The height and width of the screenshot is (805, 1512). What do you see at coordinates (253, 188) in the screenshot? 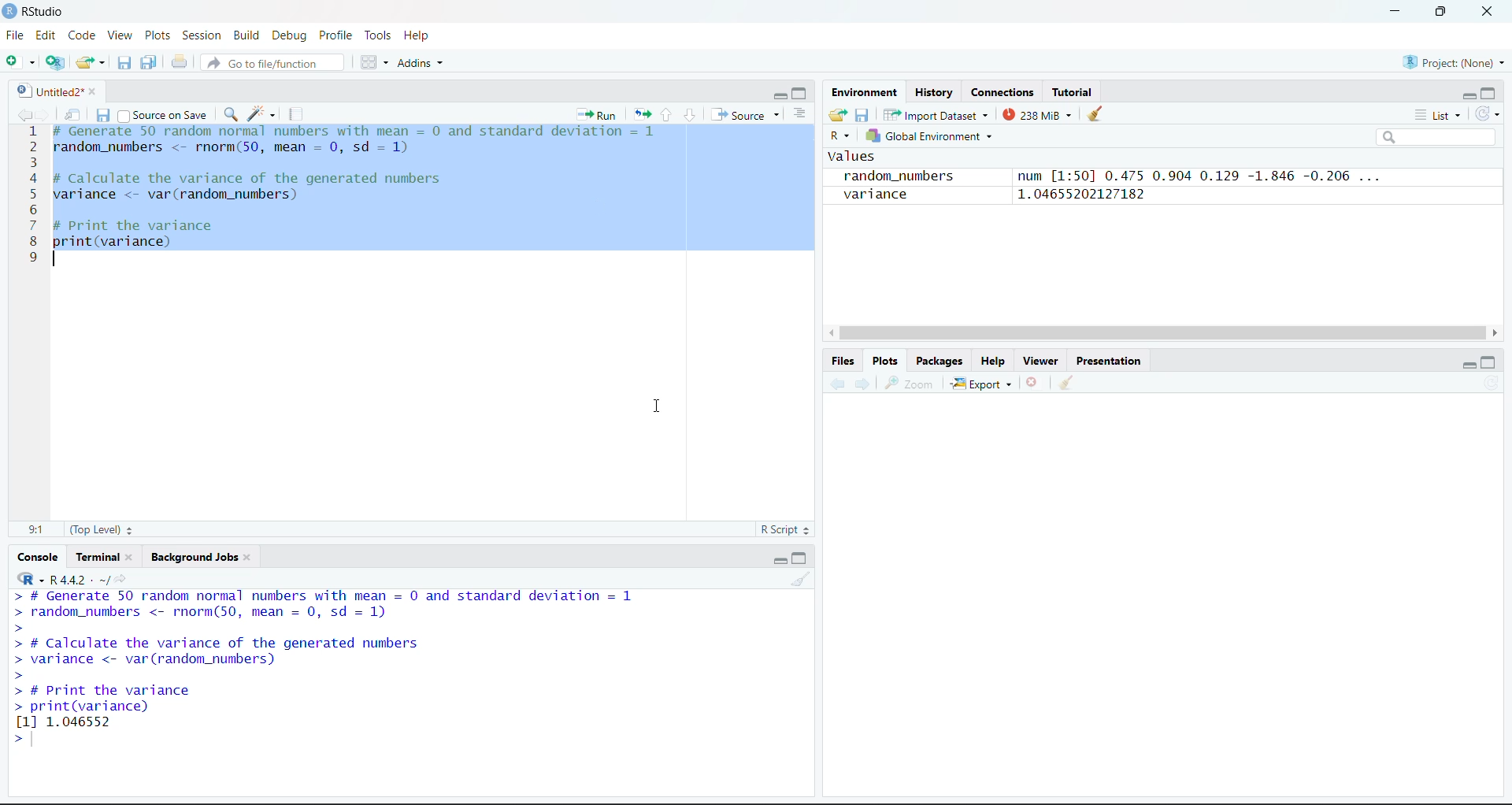
I see `# Calculate the variance of the generated numbers
variance <- var(random_numbers)` at bounding box center [253, 188].